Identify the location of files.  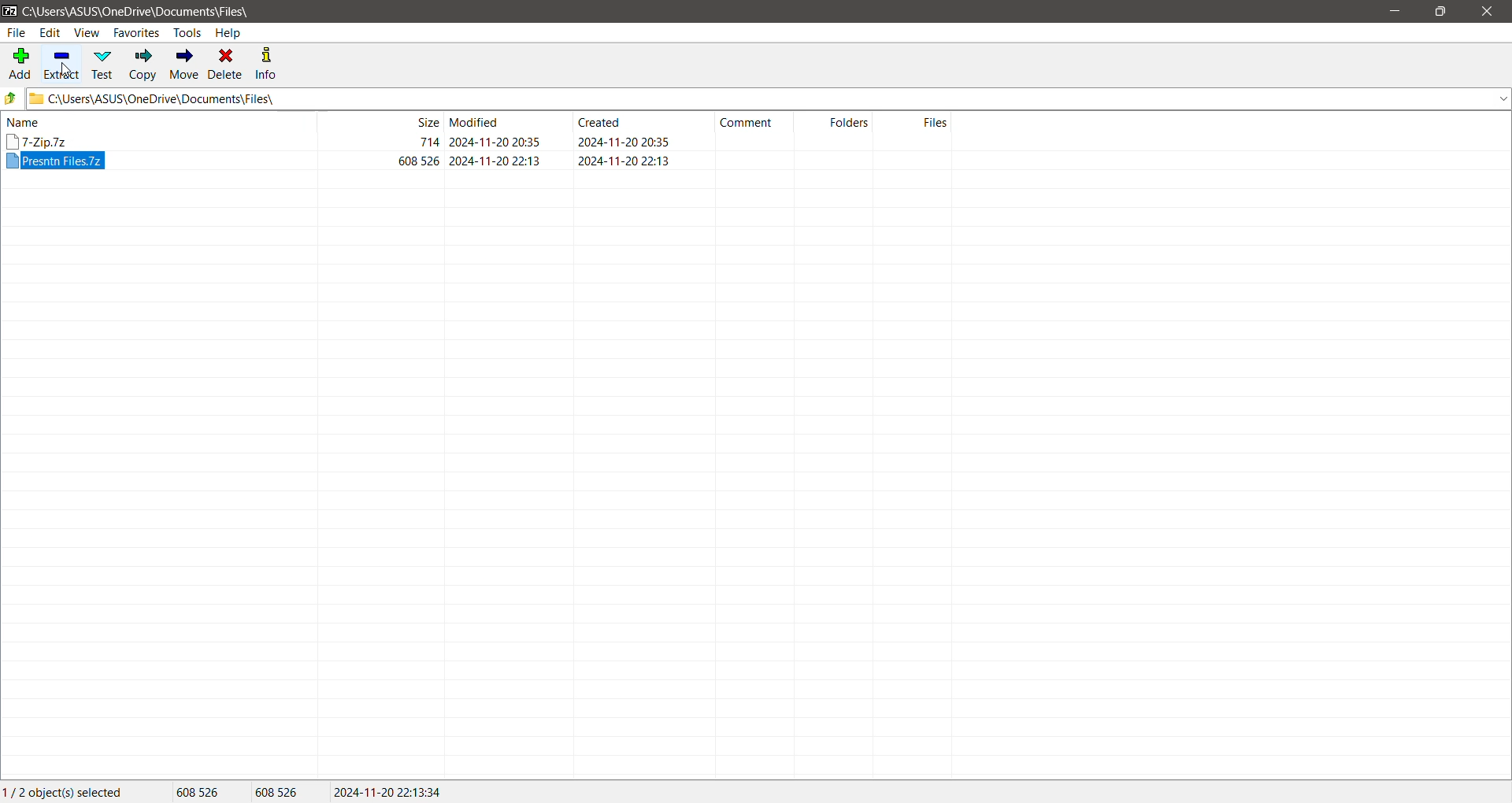
(936, 122).